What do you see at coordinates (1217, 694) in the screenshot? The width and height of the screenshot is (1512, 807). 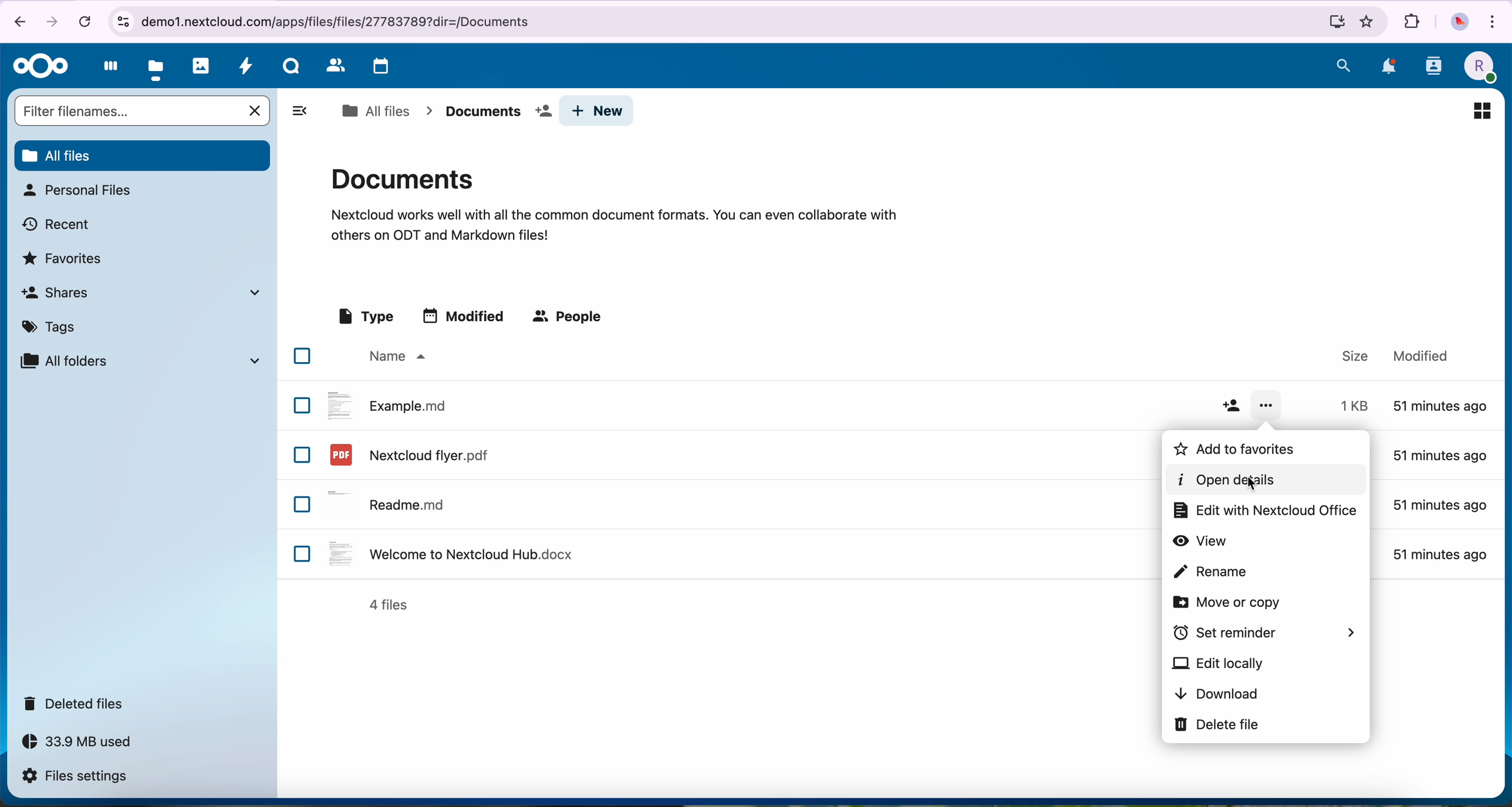 I see `download` at bounding box center [1217, 694].